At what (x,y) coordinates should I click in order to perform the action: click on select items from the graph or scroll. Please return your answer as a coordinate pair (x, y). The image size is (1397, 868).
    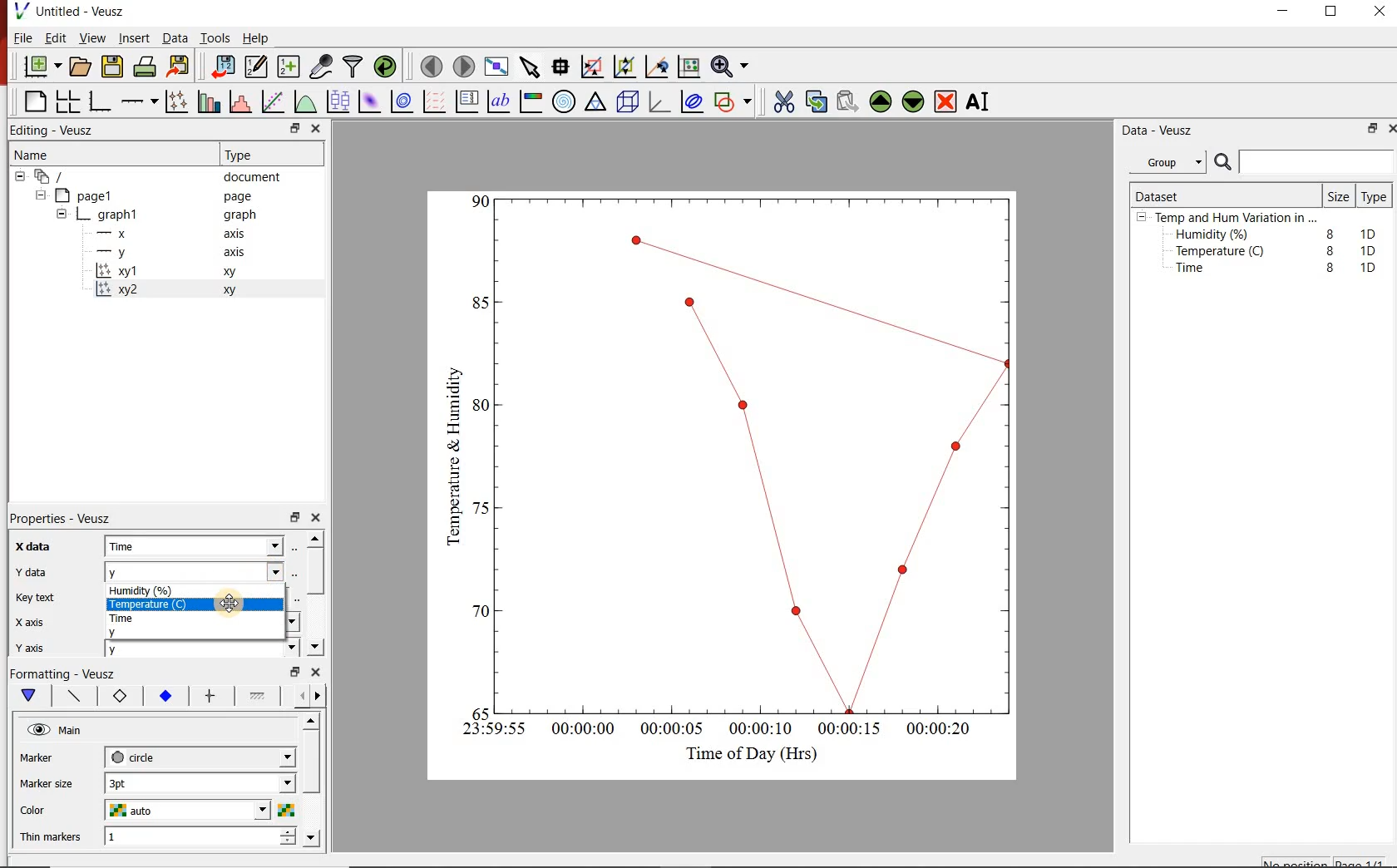
    Looking at the image, I should click on (531, 69).